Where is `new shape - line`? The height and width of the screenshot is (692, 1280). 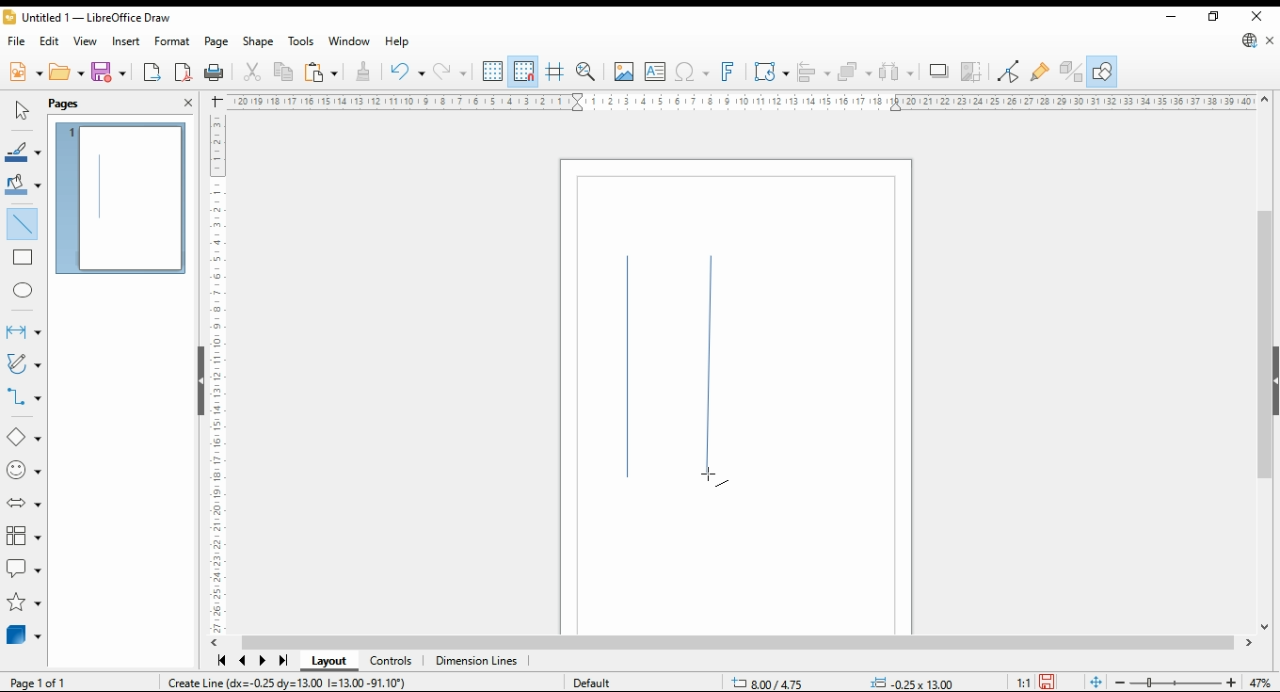
new shape - line is located at coordinates (632, 373).